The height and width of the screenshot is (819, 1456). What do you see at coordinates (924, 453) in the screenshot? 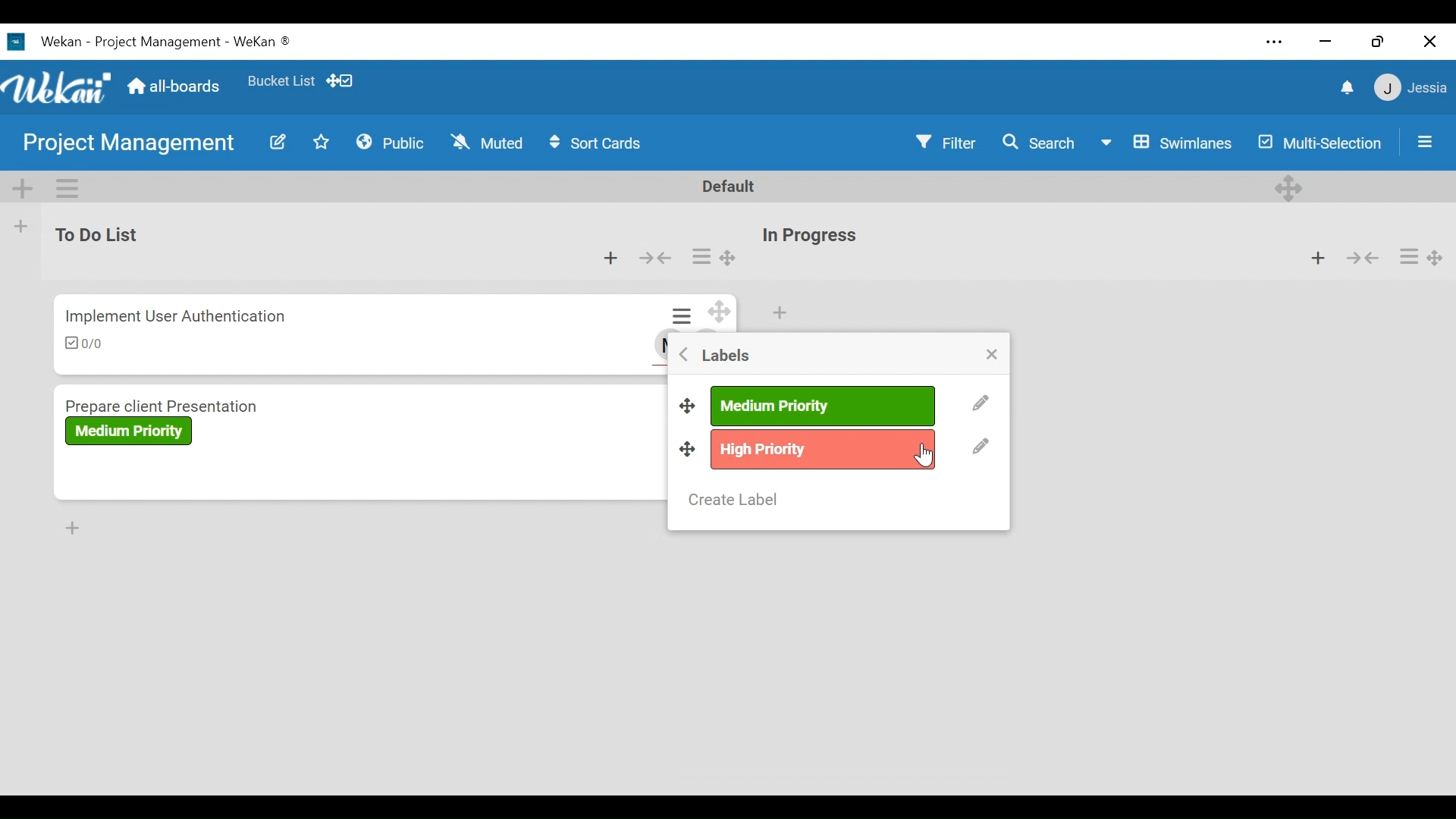
I see `cursor` at bounding box center [924, 453].